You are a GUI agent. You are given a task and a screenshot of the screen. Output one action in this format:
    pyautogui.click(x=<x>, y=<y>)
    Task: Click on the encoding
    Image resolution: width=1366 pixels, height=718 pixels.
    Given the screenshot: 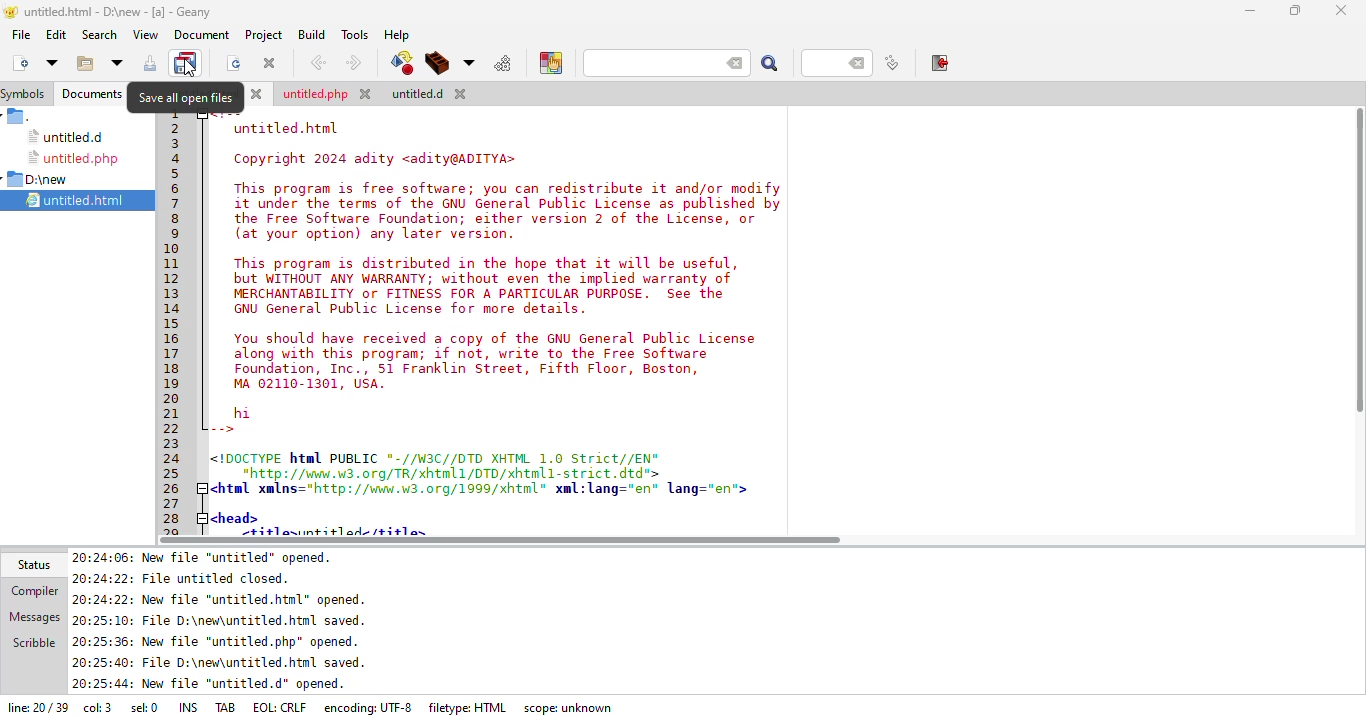 What is the action you would take?
    pyautogui.click(x=367, y=708)
    